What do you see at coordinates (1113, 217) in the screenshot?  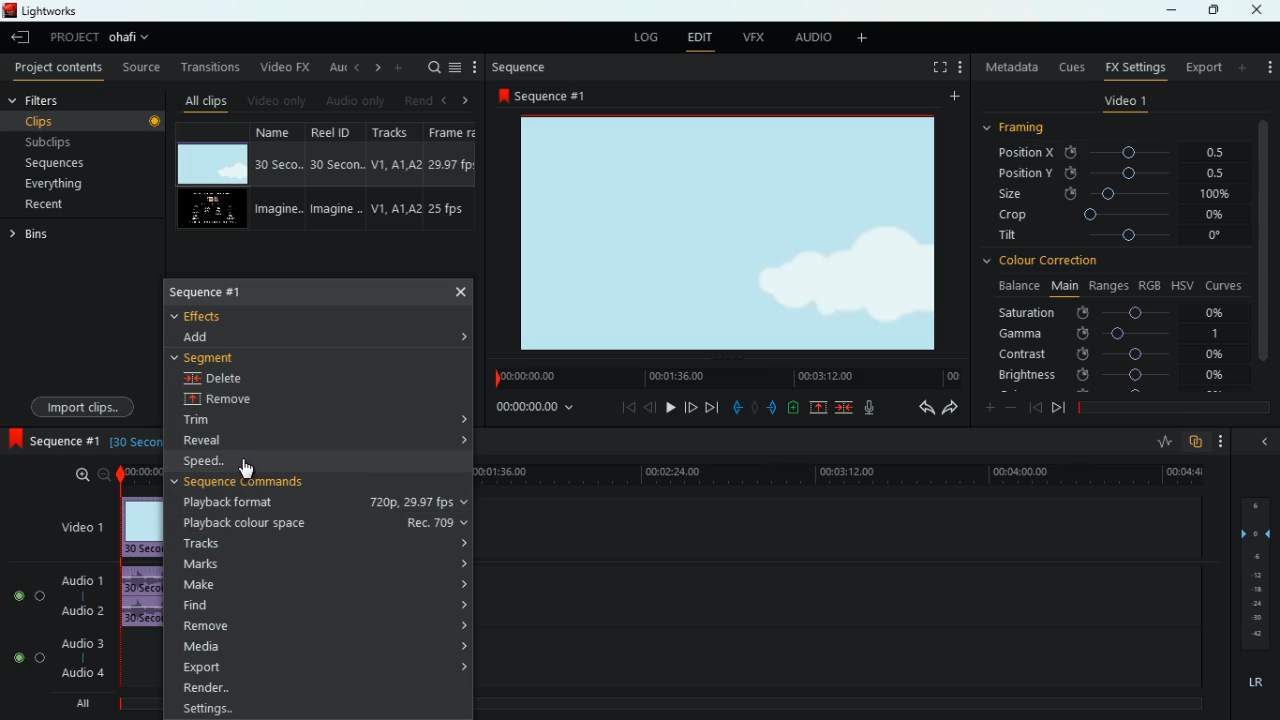 I see `crop` at bounding box center [1113, 217].